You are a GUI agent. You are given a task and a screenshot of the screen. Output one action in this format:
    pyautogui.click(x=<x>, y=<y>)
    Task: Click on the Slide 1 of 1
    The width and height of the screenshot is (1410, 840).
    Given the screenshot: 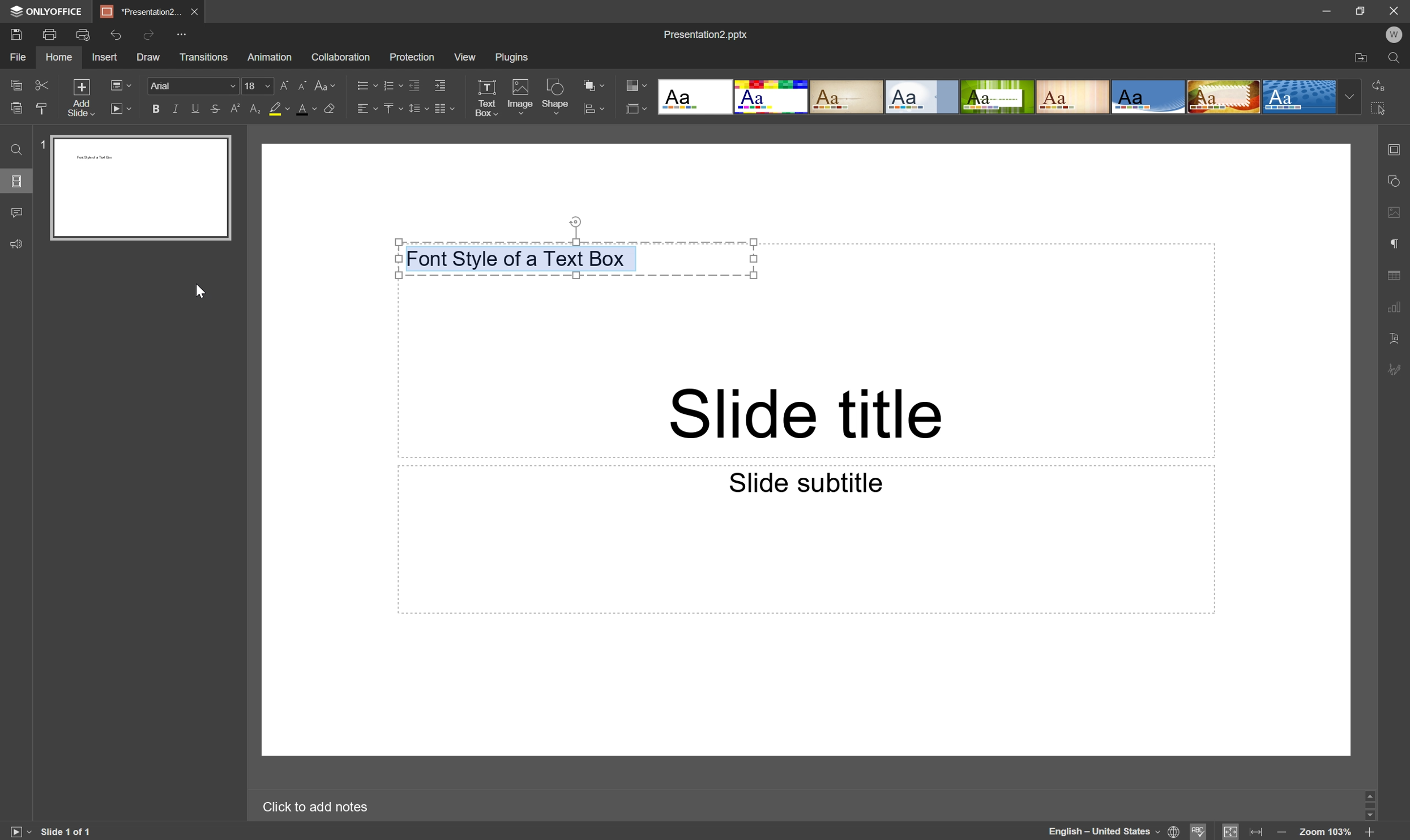 What is the action you would take?
    pyautogui.click(x=71, y=832)
    